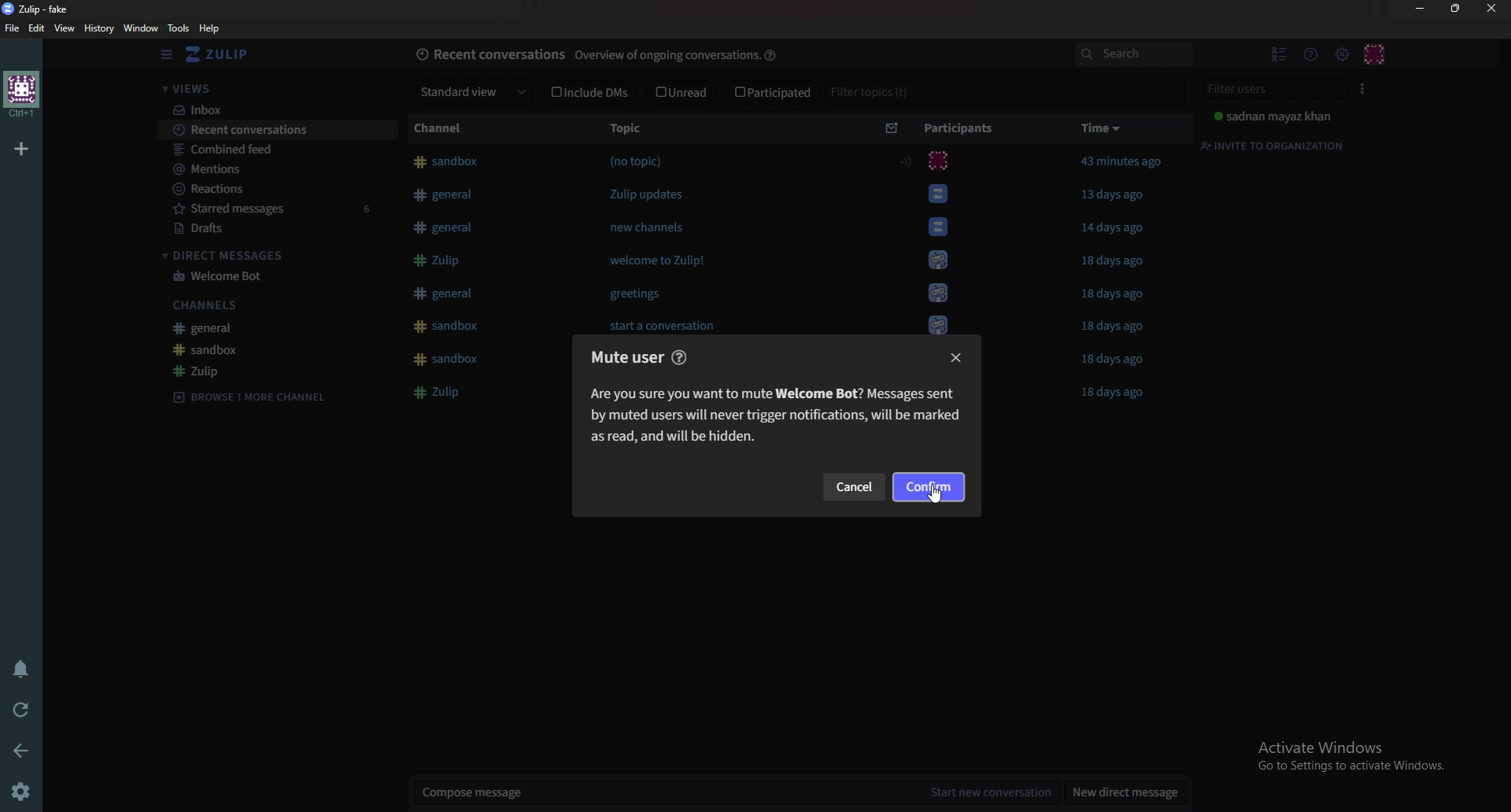 This screenshot has width=1511, height=812. What do you see at coordinates (964, 128) in the screenshot?
I see `Participants` at bounding box center [964, 128].